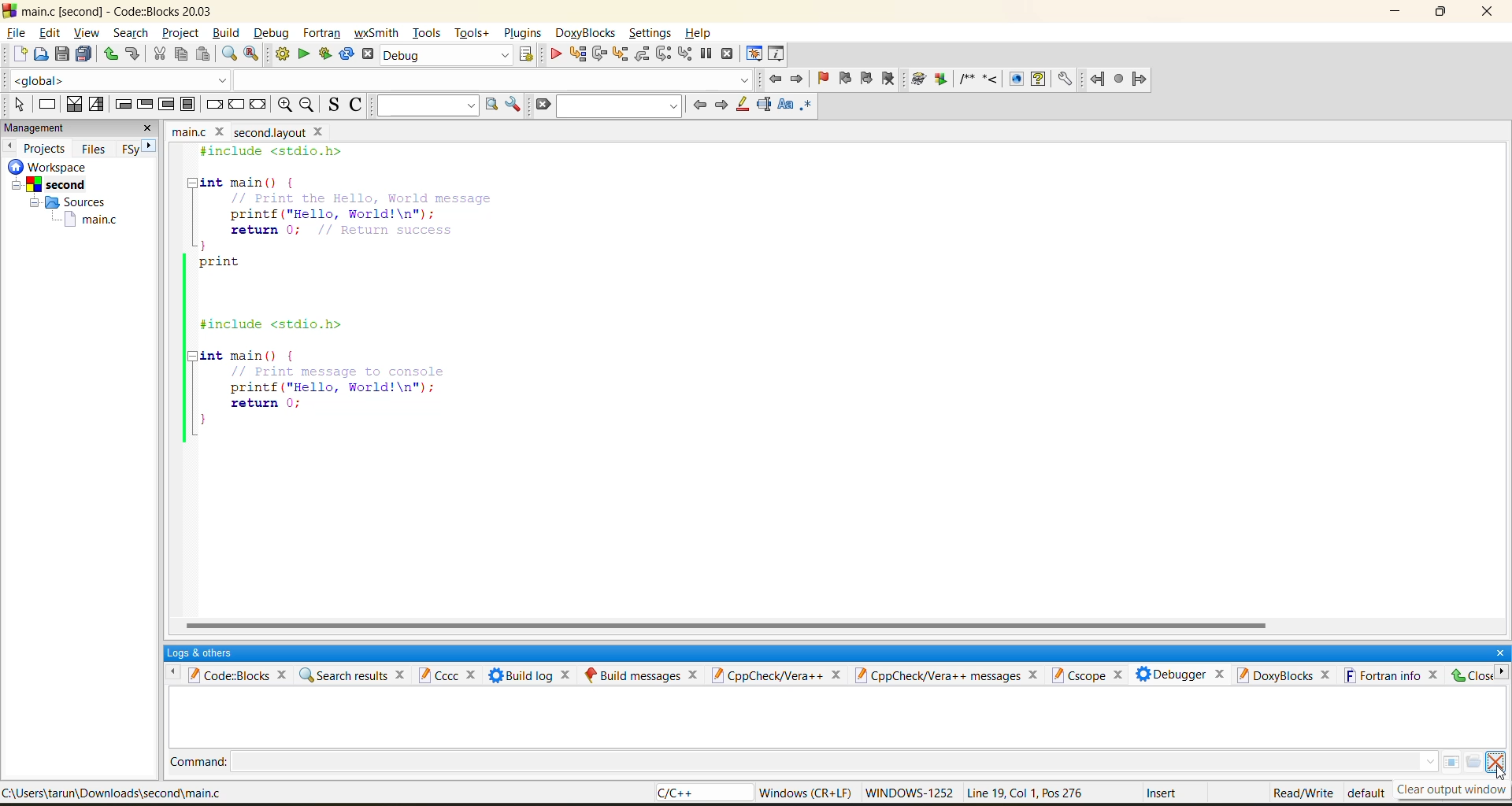 This screenshot has height=806, width=1512. Describe the element at coordinates (699, 105) in the screenshot. I see `previous` at that location.